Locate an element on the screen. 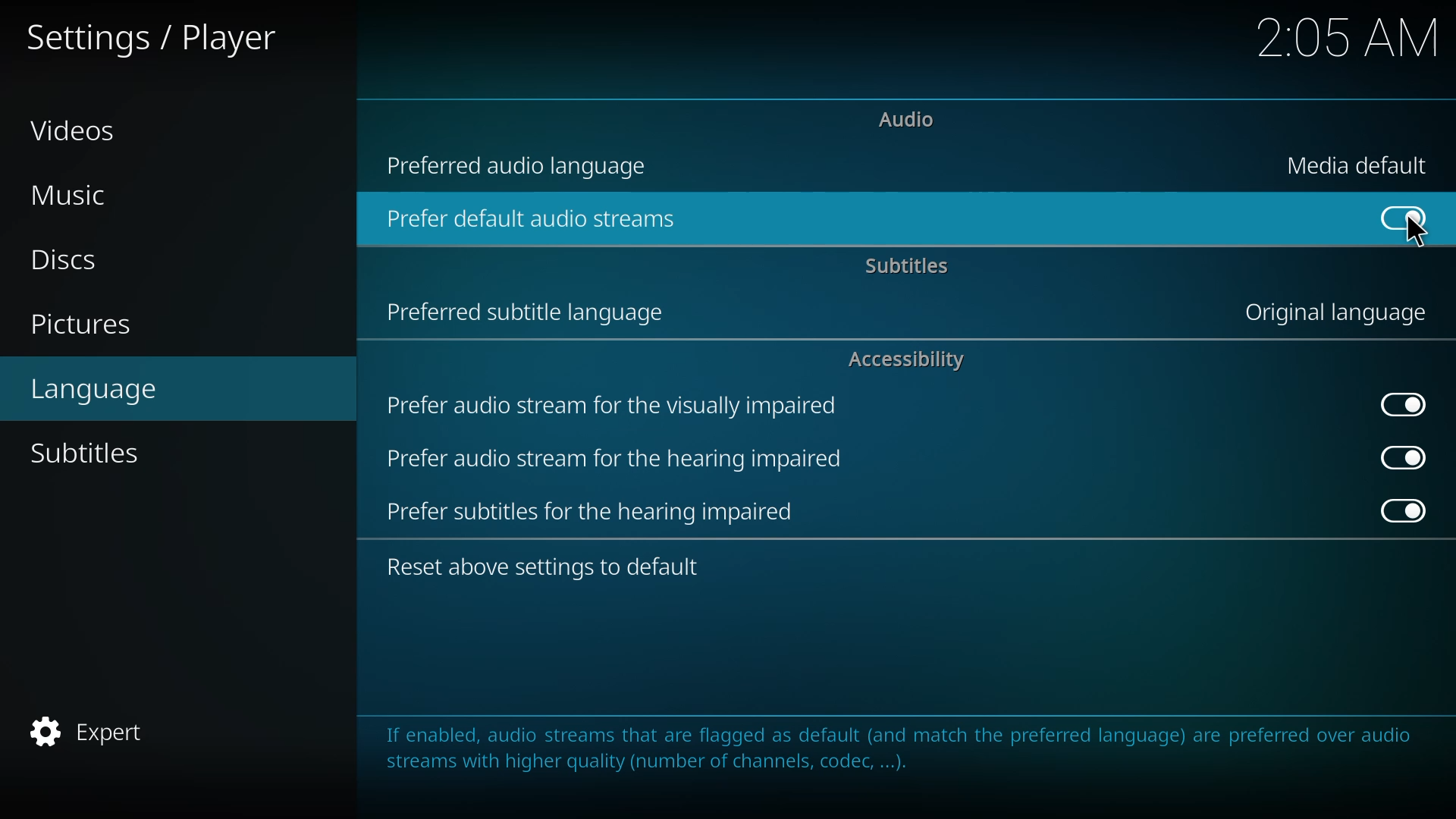 Image resolution: width=1456 pixels, height=819 pixels. time is located at coordinates (1348, 37).